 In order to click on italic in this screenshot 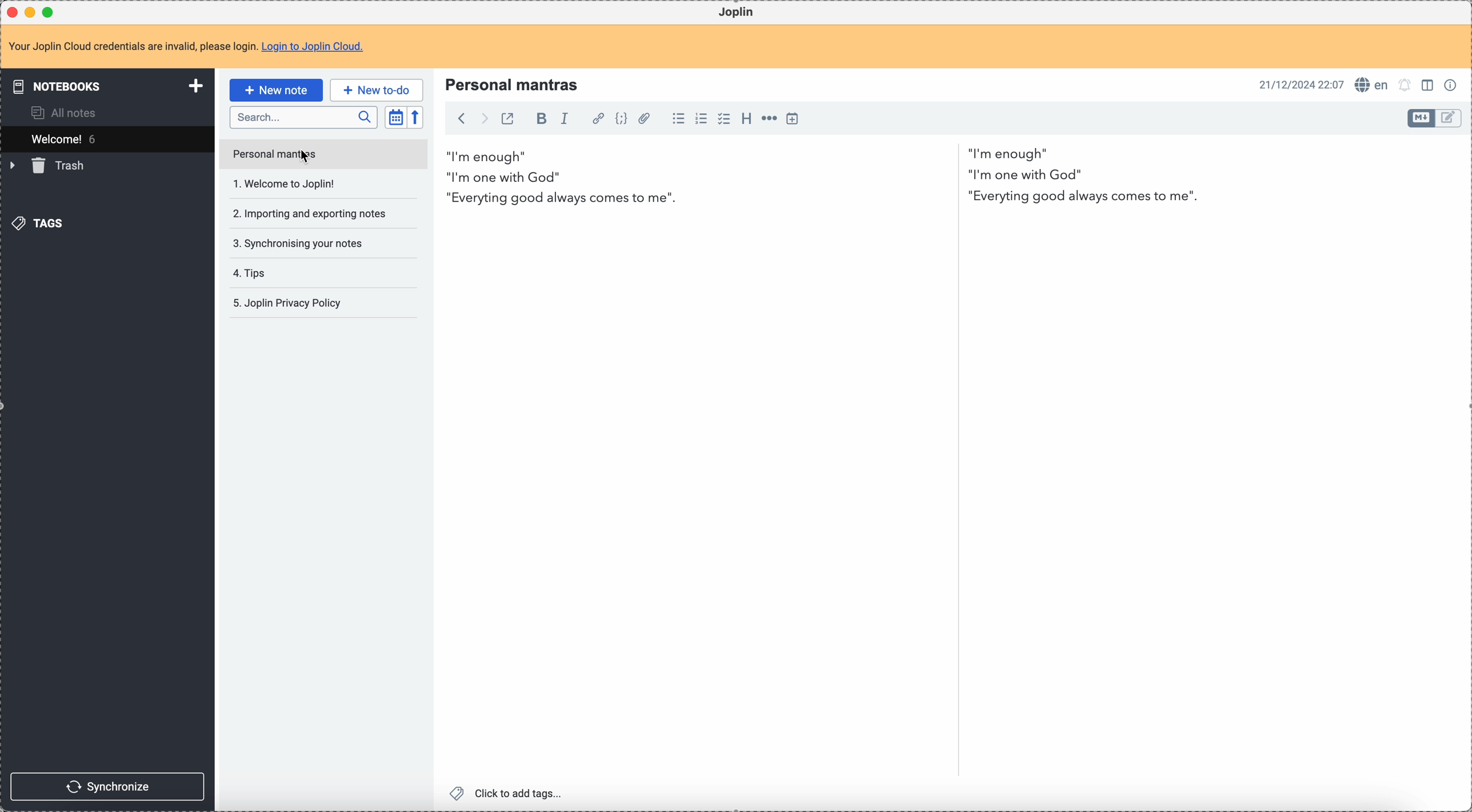, I will do `click(566, 119)`.